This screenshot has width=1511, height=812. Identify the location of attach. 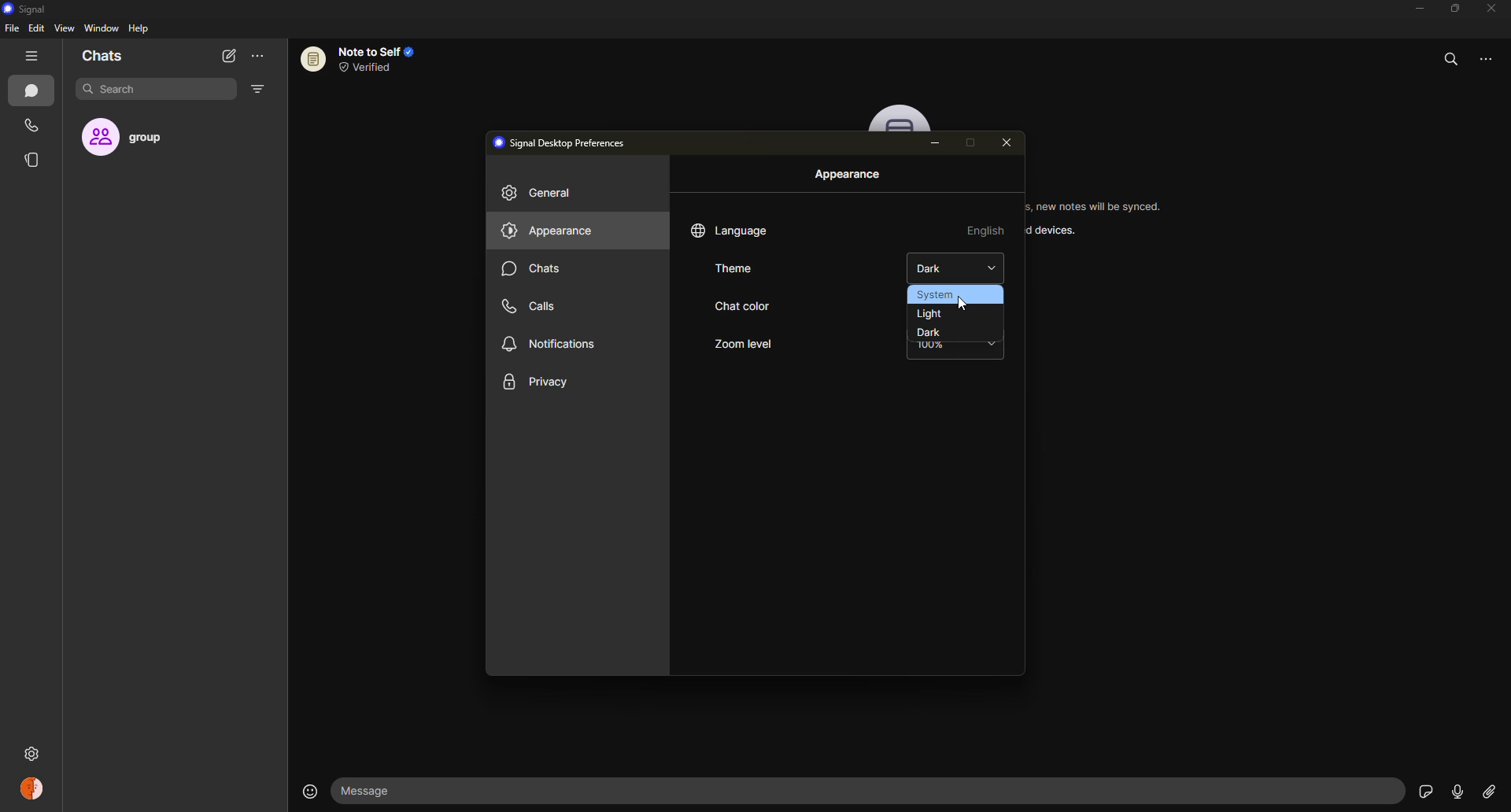
(1487, 791).